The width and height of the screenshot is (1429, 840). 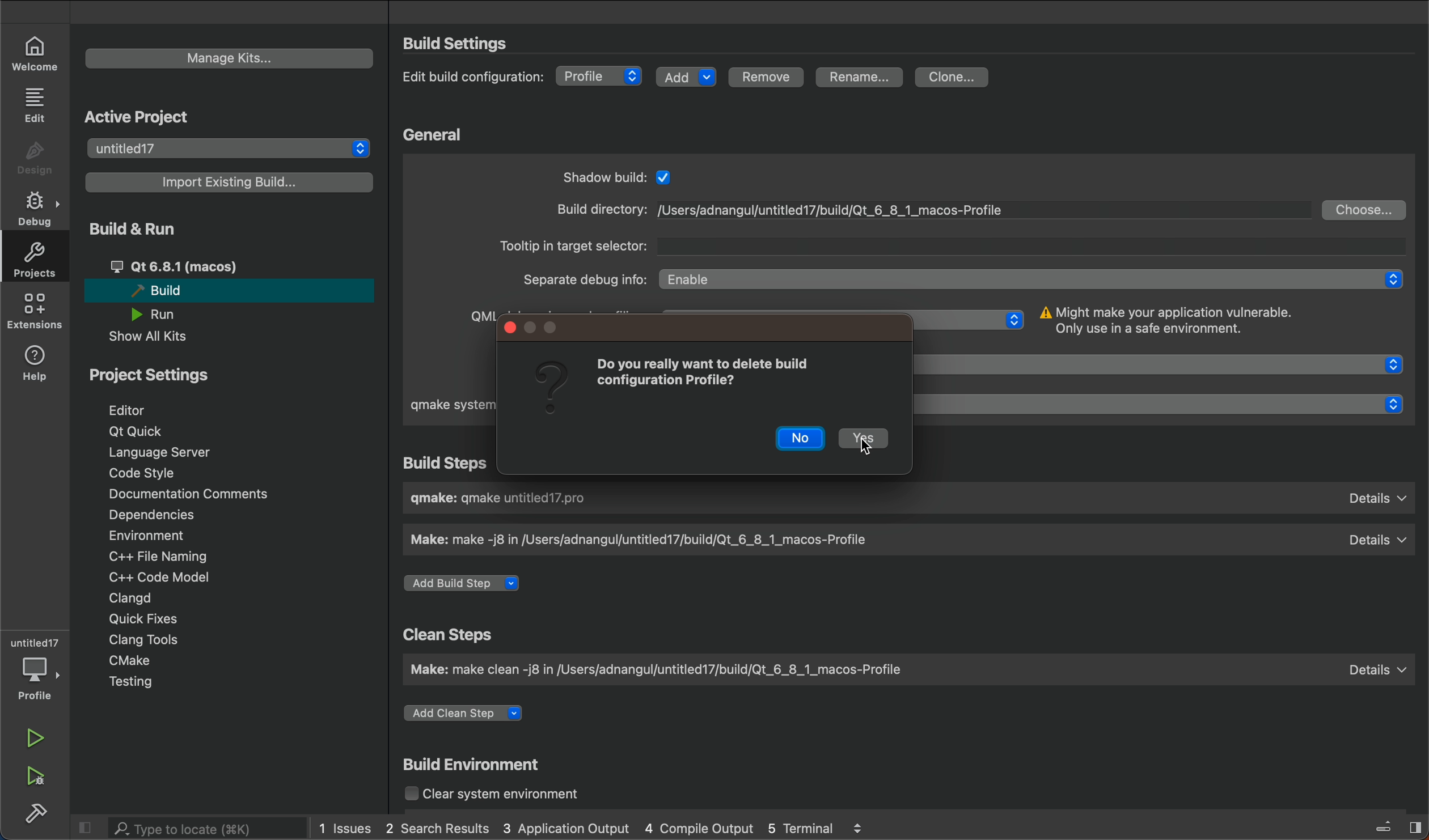 I want to click on run, so click(x=164, y=314).